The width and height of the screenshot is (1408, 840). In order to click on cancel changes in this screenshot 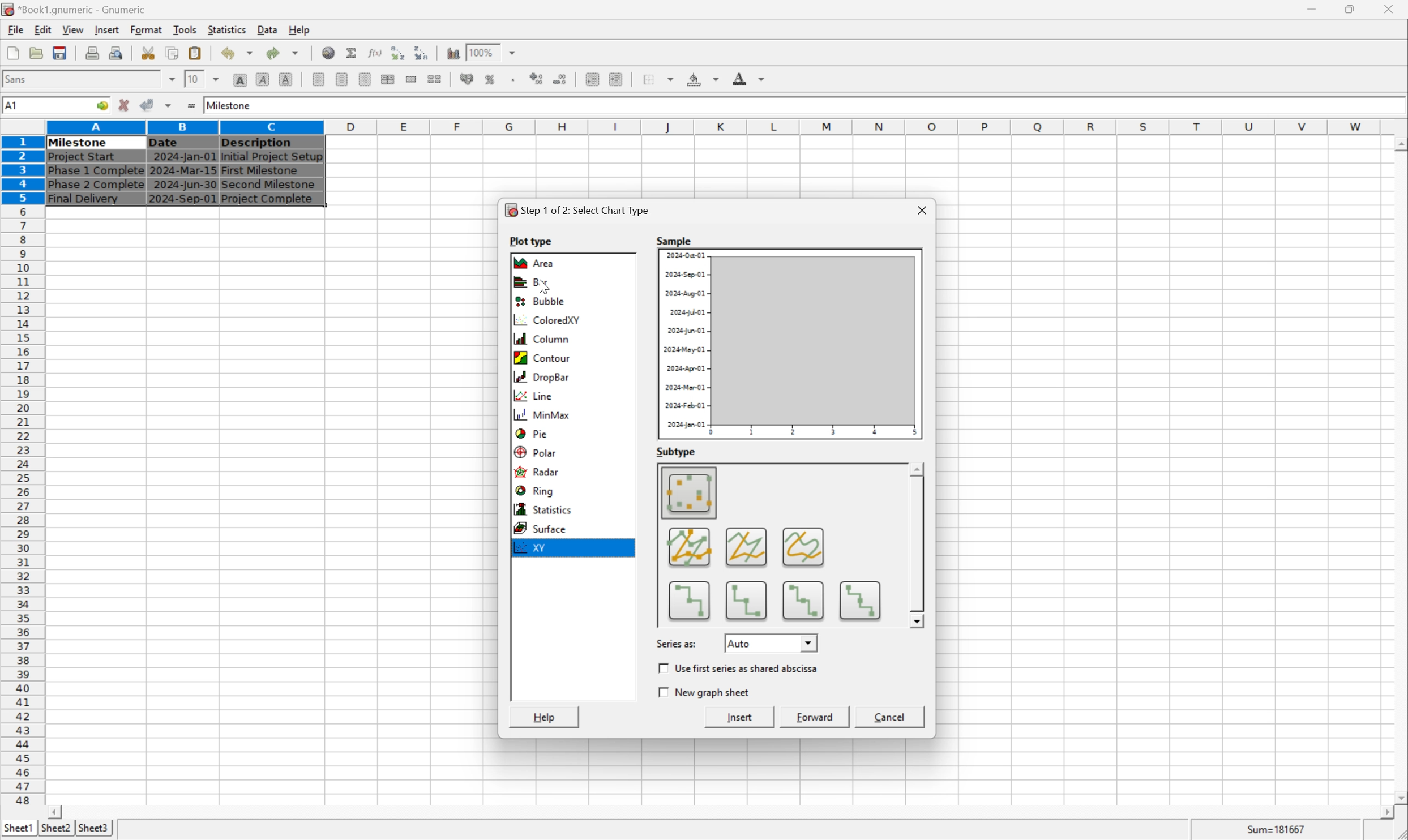, I will do `click(128, 106)`.